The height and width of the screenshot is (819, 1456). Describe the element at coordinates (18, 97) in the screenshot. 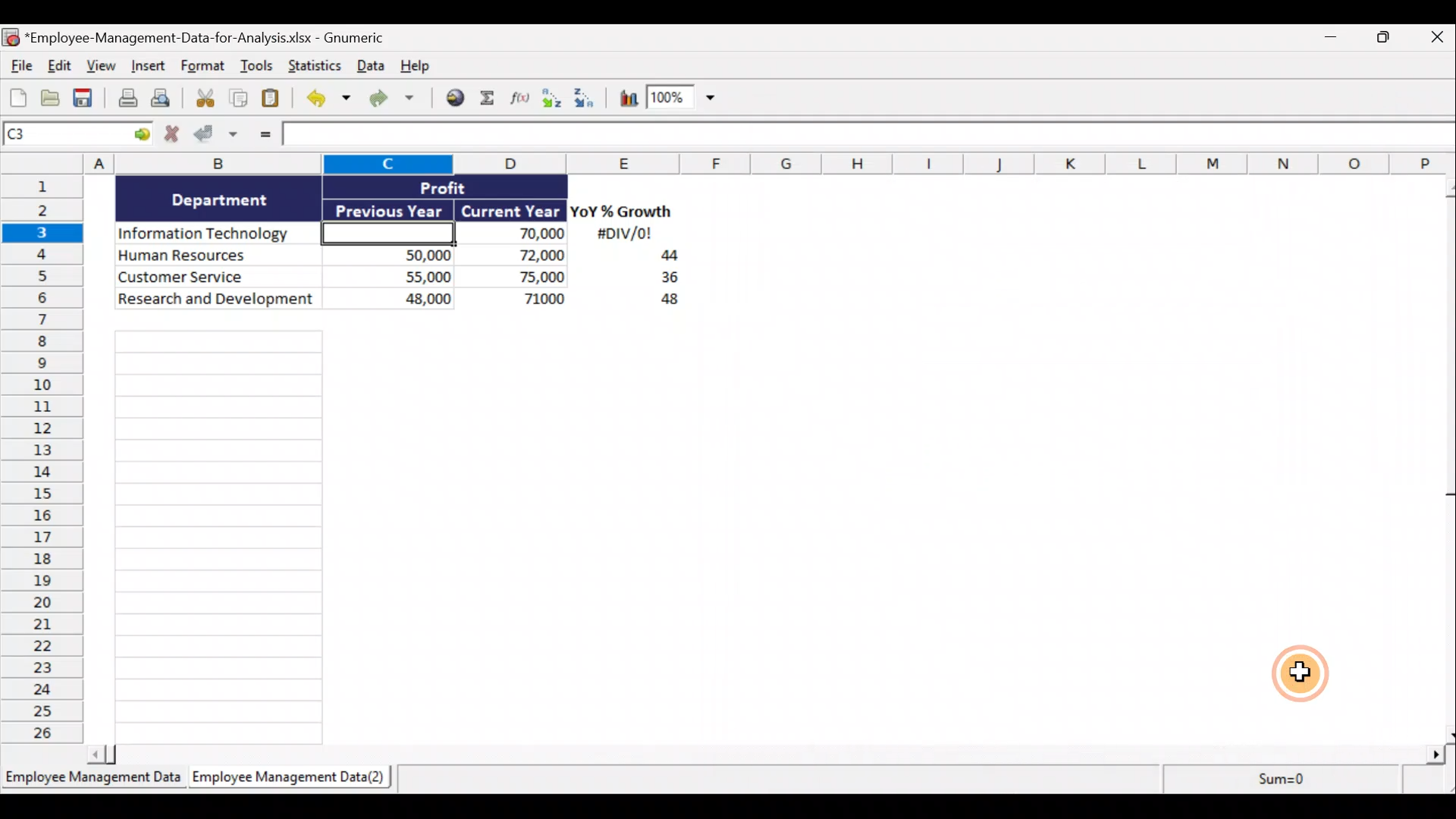

I see `Create new workbook` at that location.